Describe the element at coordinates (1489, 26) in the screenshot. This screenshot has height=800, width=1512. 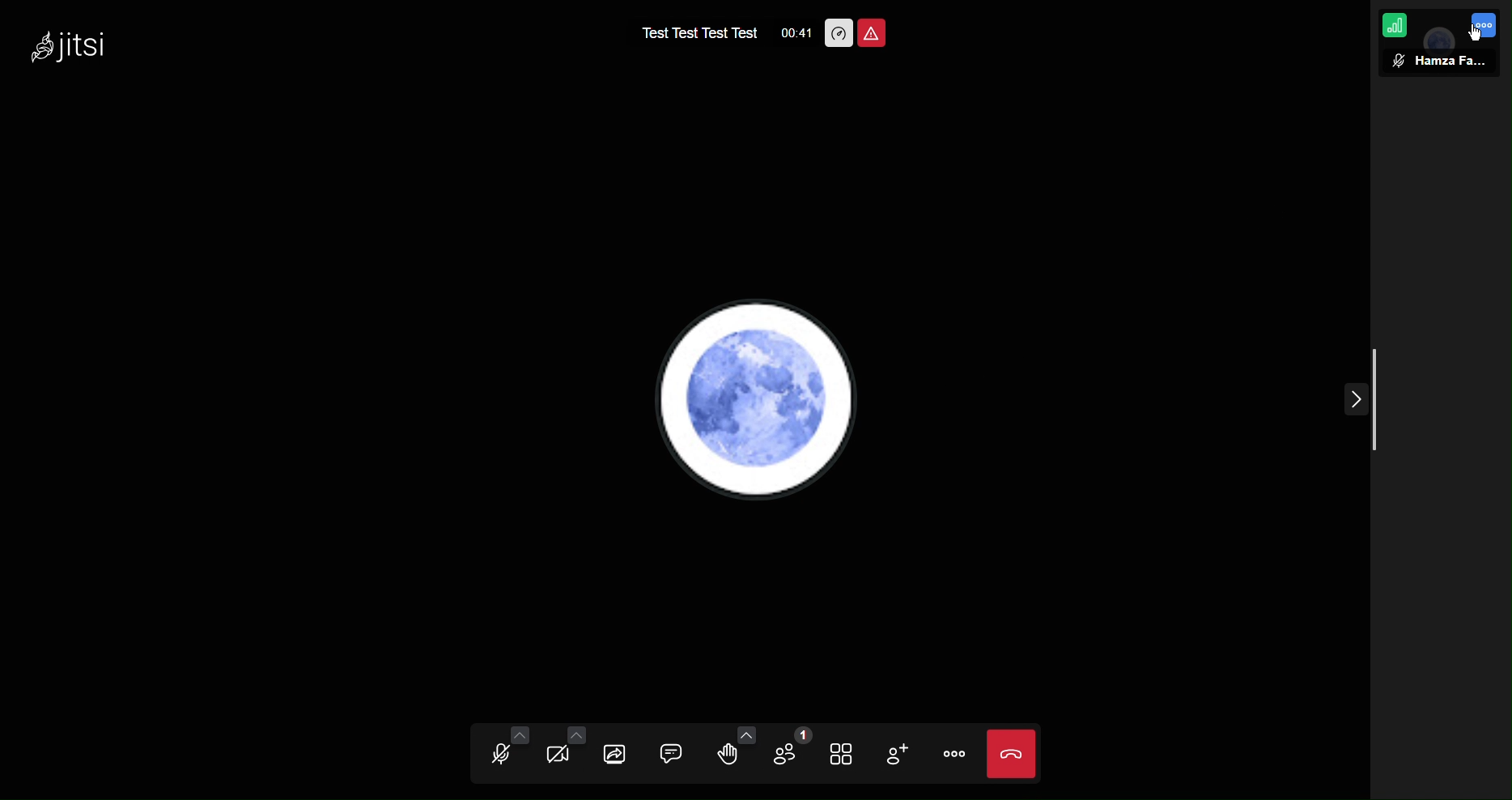
I see `More Options` at that location.